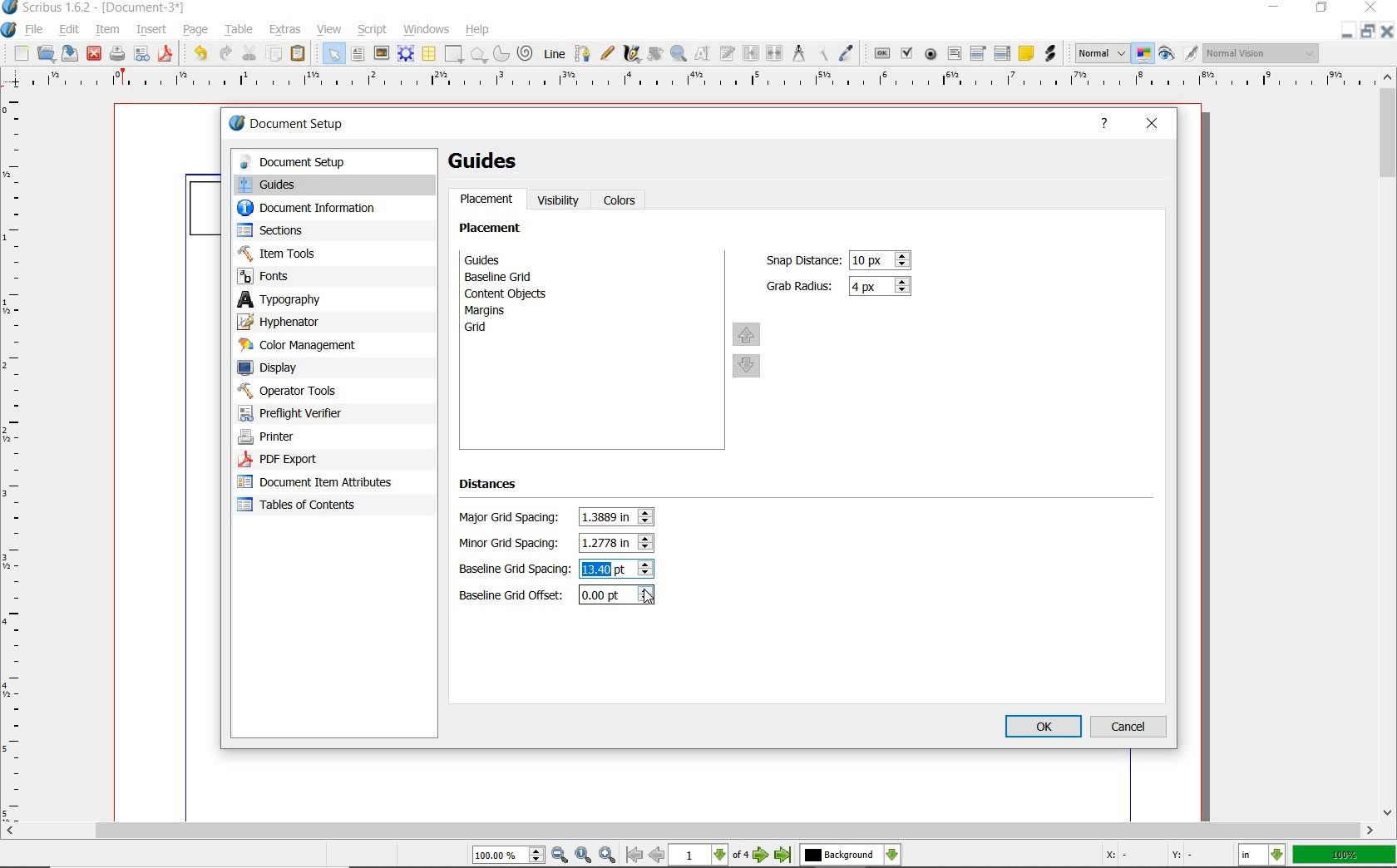 This screenshot has height=868, width=1397. What do you see at coordinates (510, 855) in the screenshot?
I see `select current zoom level` at bounding box center [510, 855].